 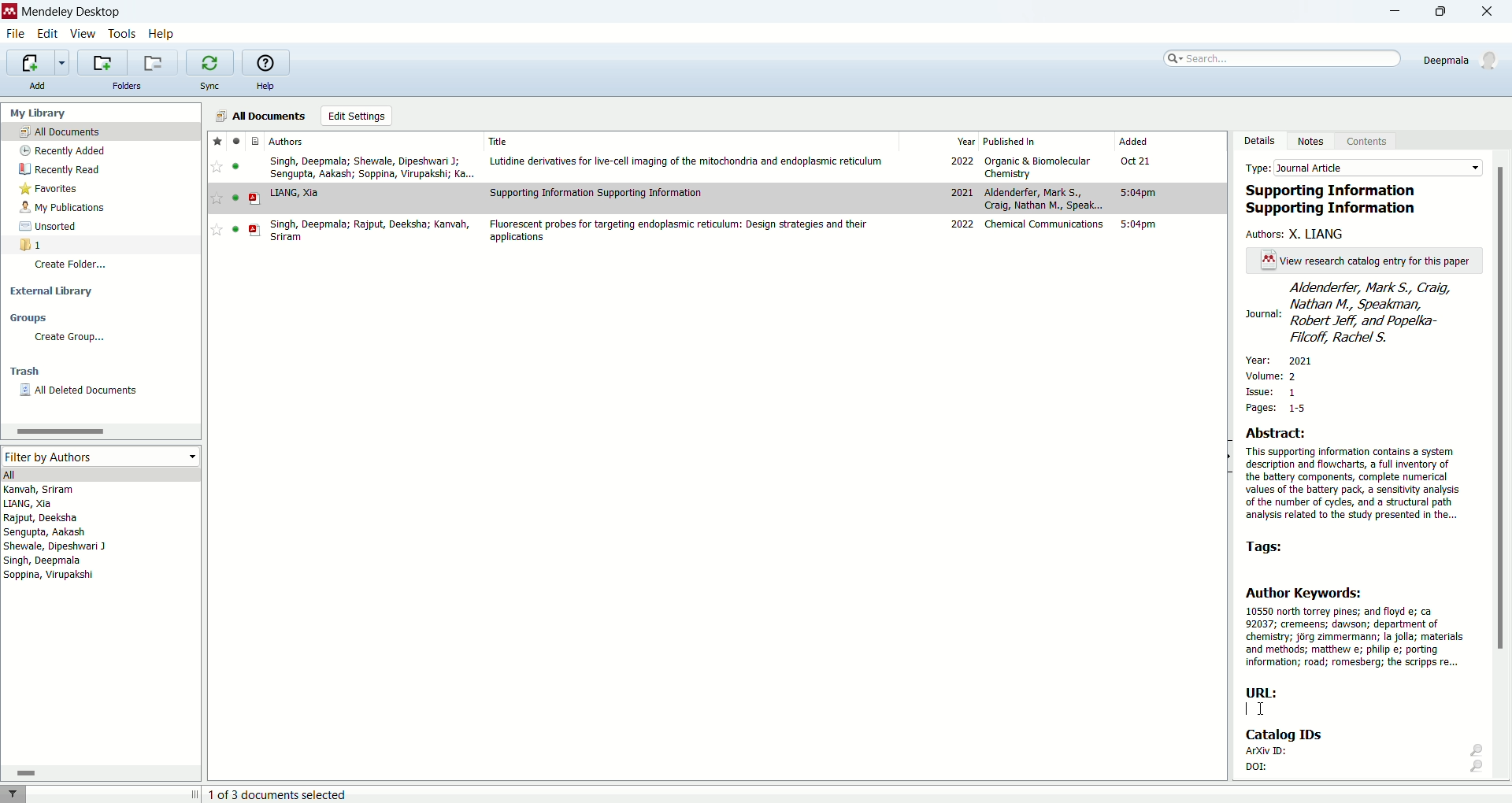 I want to click on journal: Aldenderfer, Mark S.,Craig, Nathan M., Speakman, Robert Jeff, and Popelka-Filcoff, Rachel S., so click(x=1363, y=313).